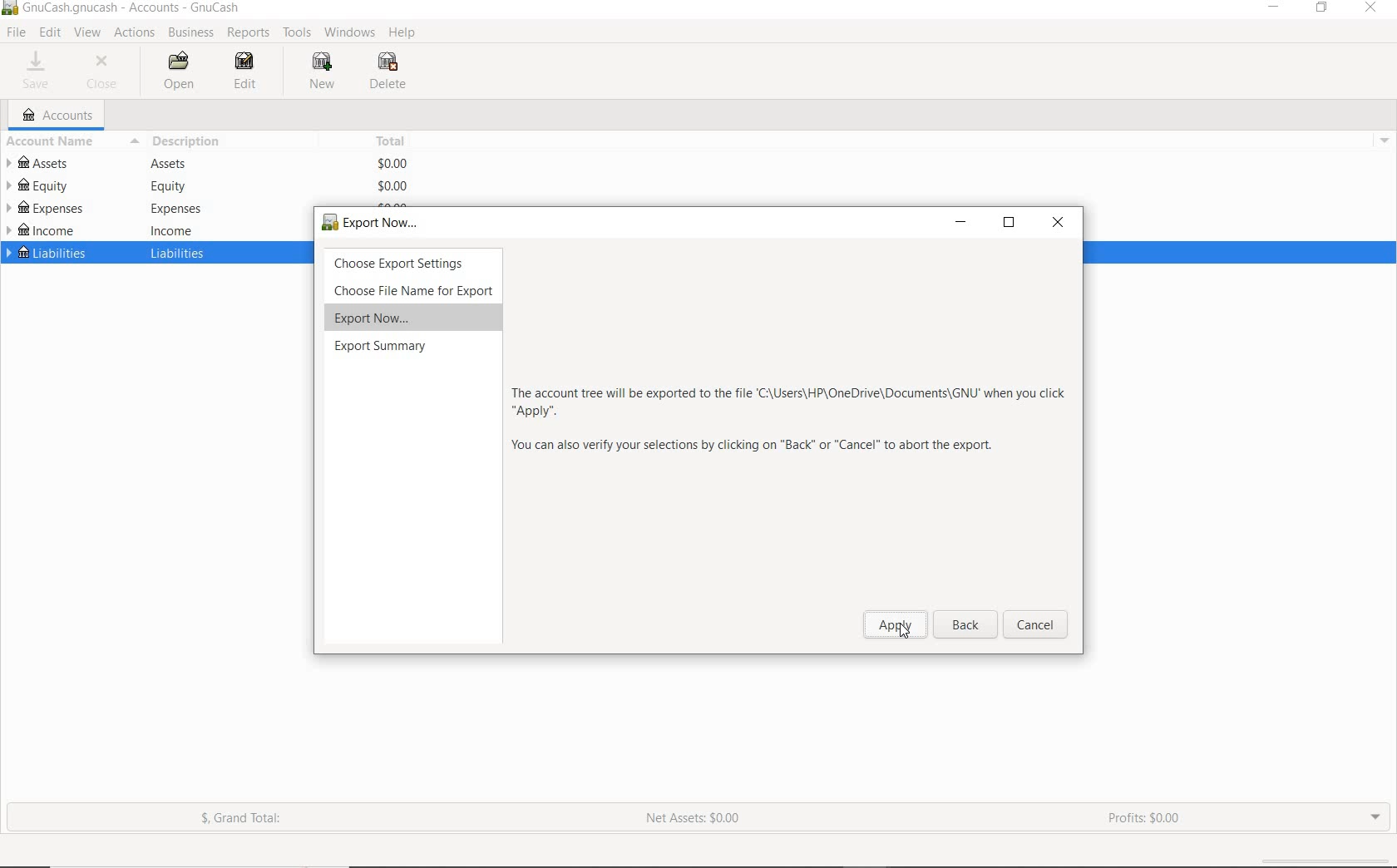 Image resolution: width=1397 pixels, height=868 pixels. Describe the element at coordinates (894, 624) in the screenshot. I see `apply` at that location.